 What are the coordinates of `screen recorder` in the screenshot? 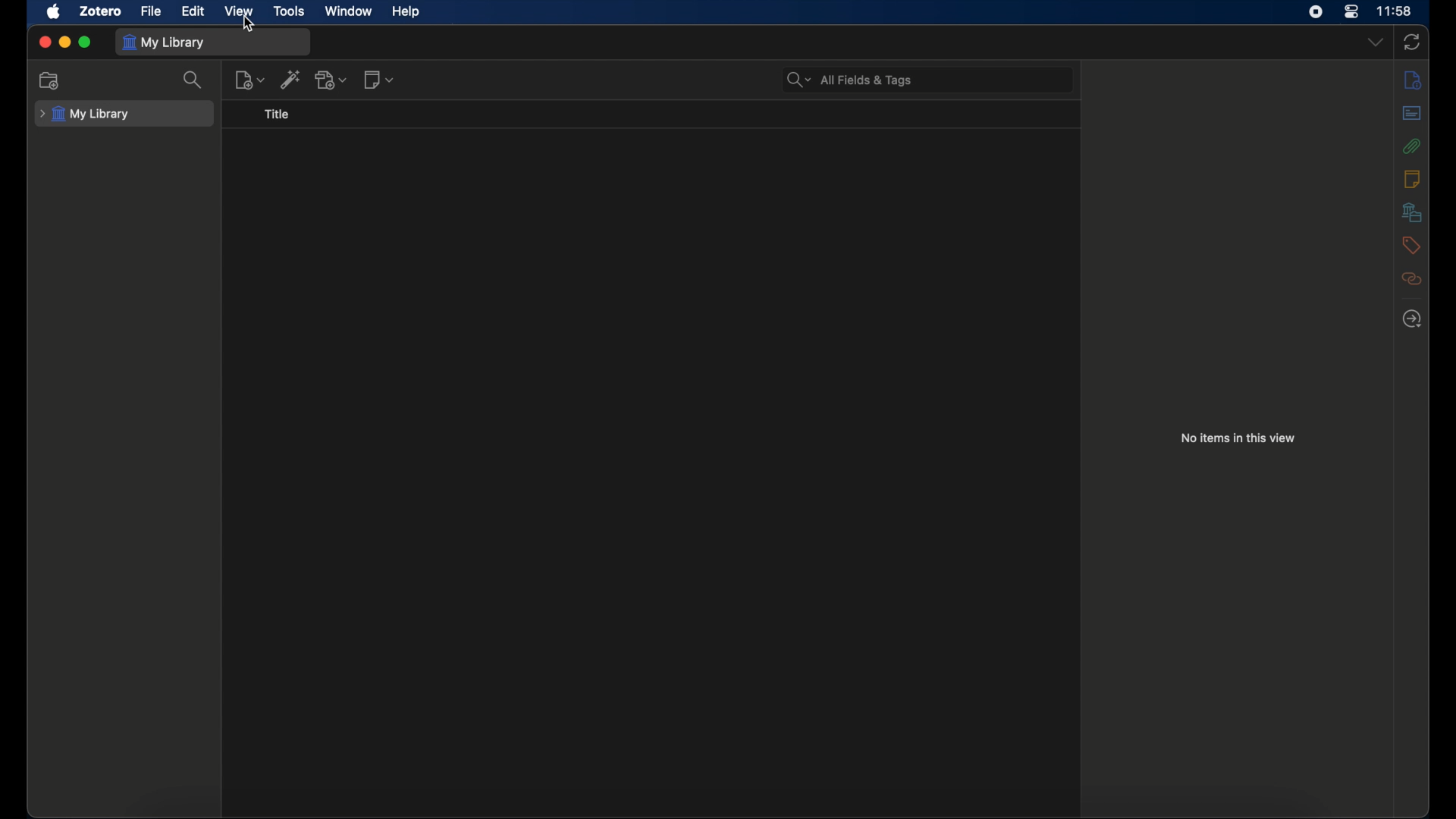 It's located at (1316, 11).